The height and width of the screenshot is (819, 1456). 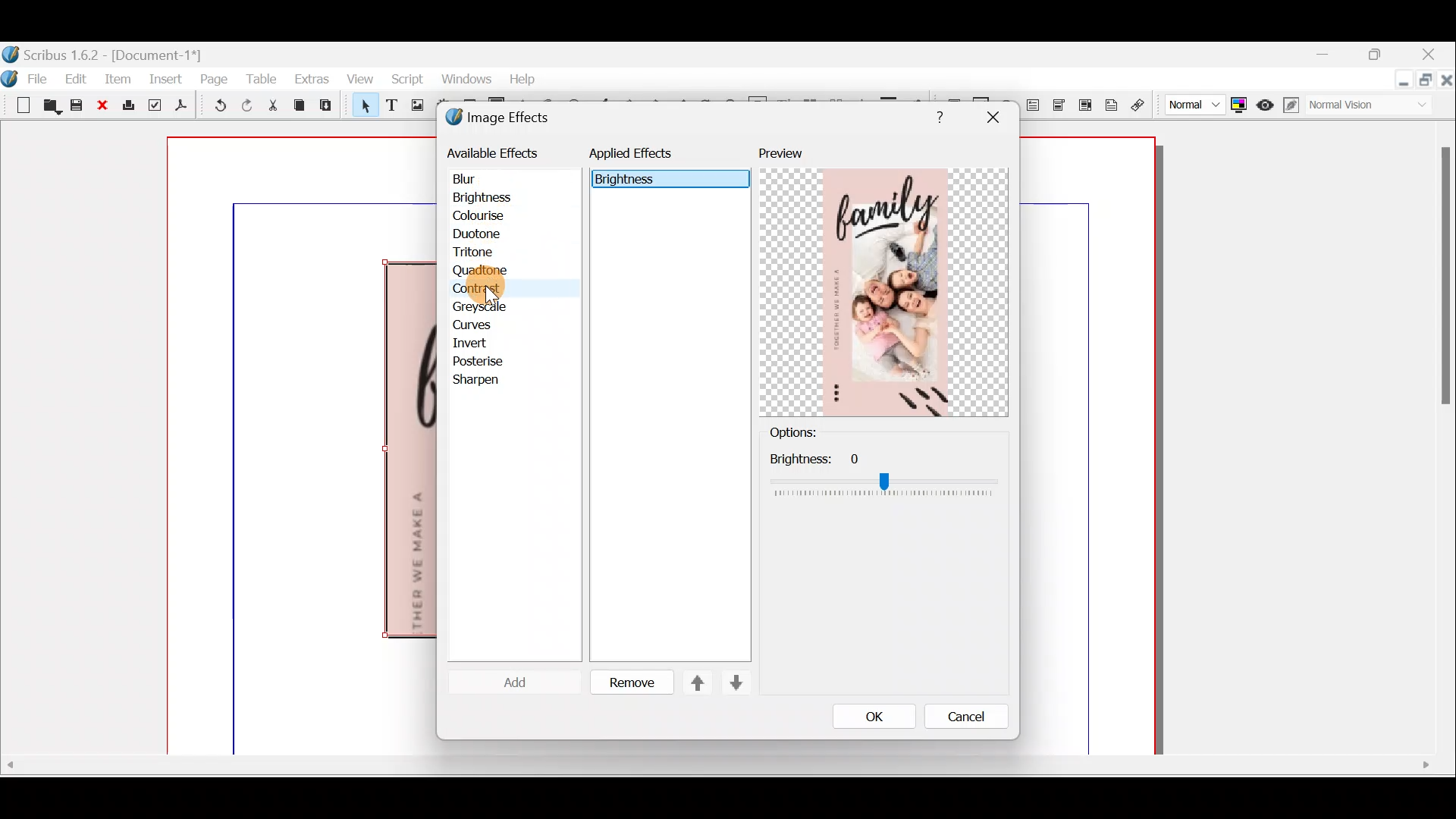 What do you see at coordinates (215, 78) in the screenshot?
I see `Page` at bounding box center [215, 78].